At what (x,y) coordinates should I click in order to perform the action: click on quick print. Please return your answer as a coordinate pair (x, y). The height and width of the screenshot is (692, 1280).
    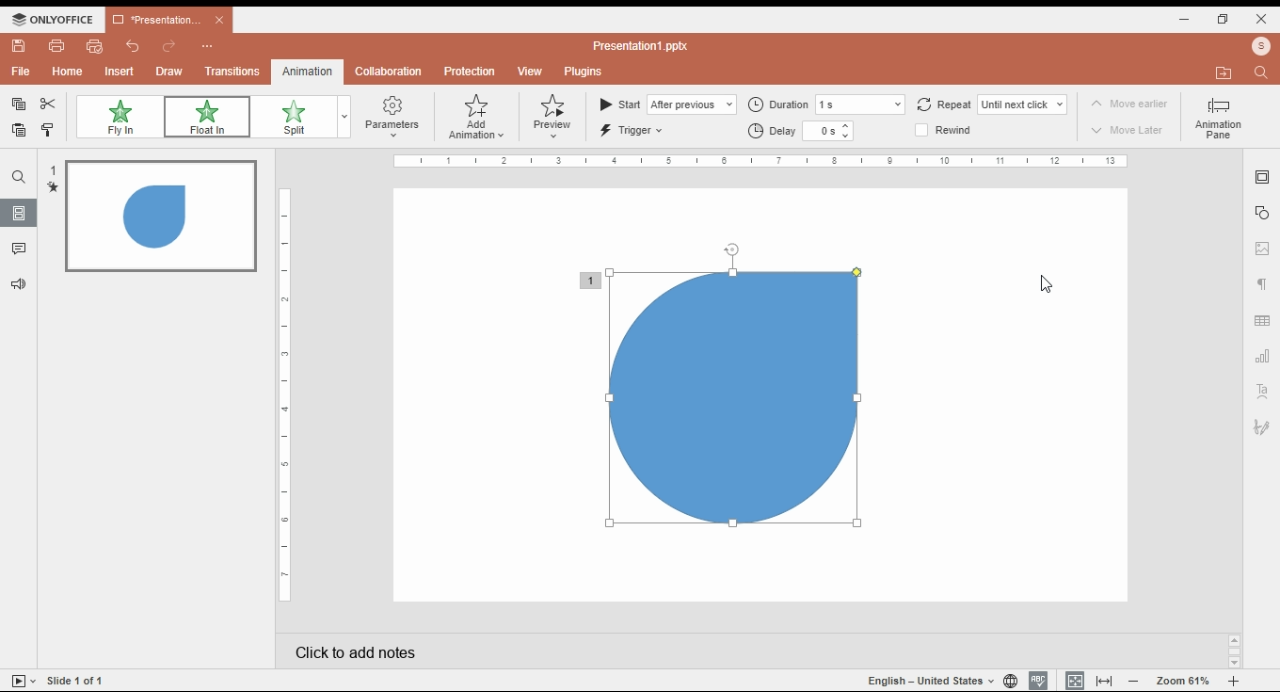
    Looking at the image, I should click on (96, 46).